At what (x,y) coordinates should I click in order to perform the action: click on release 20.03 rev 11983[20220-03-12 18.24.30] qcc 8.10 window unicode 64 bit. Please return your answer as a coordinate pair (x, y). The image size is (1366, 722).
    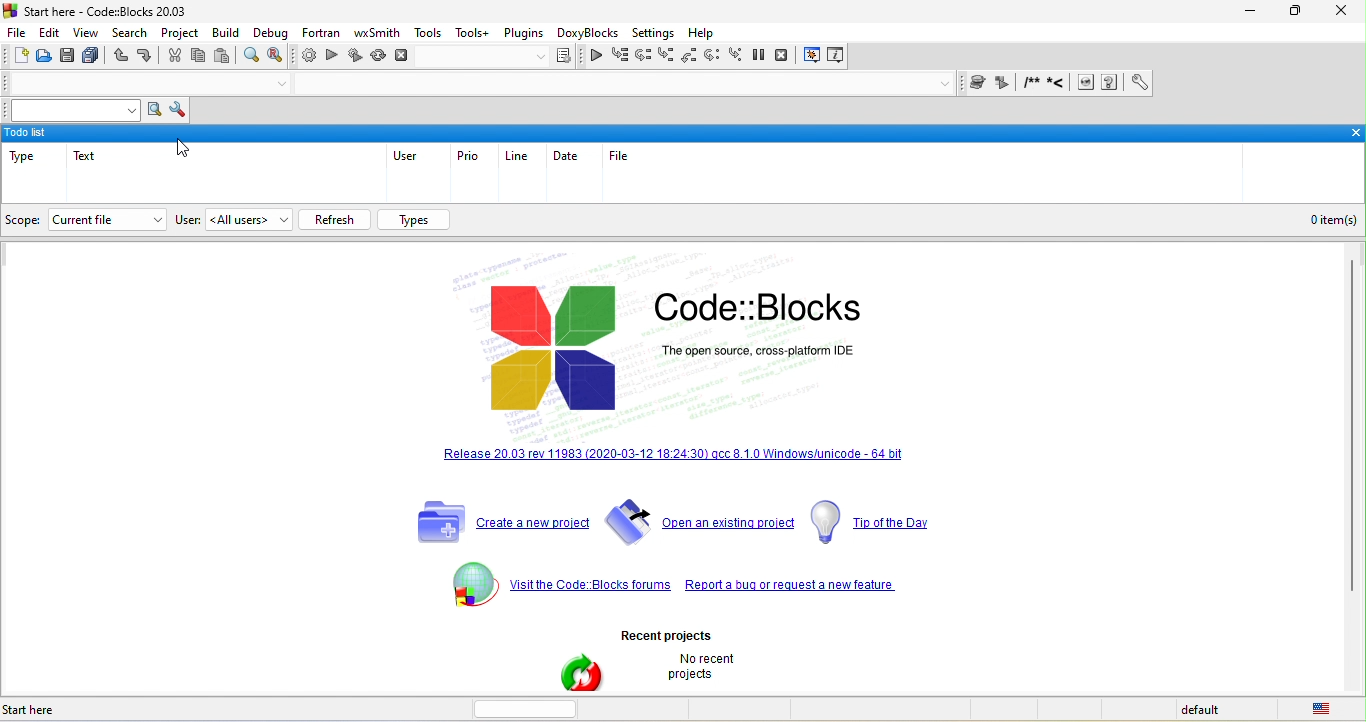
    Looking at the image, I should click on (744, 585).